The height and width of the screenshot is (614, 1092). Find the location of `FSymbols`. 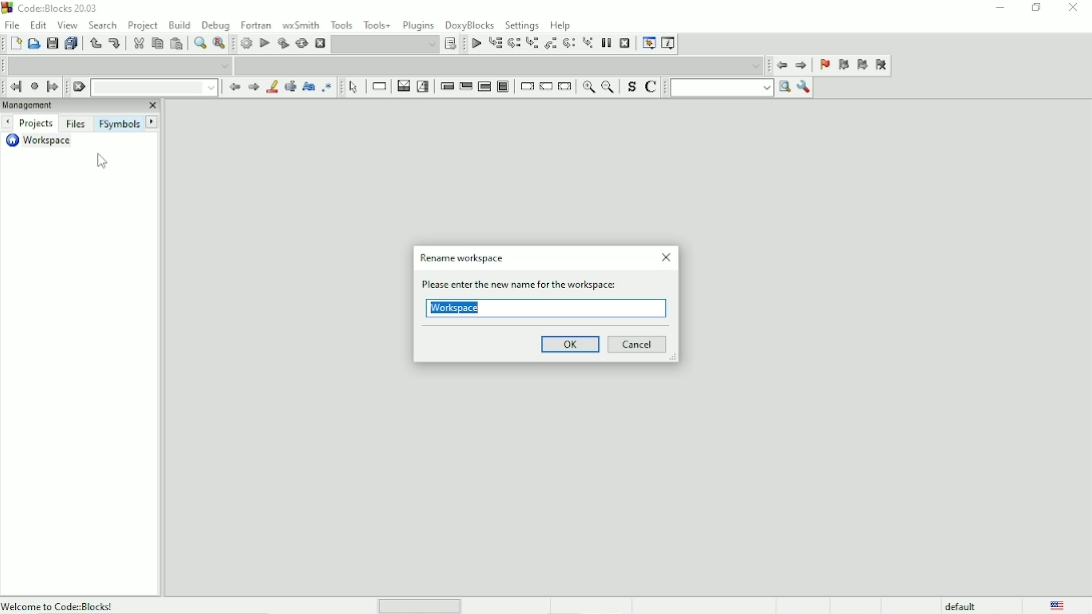

FSymbols is located at coordinates (118, 124).